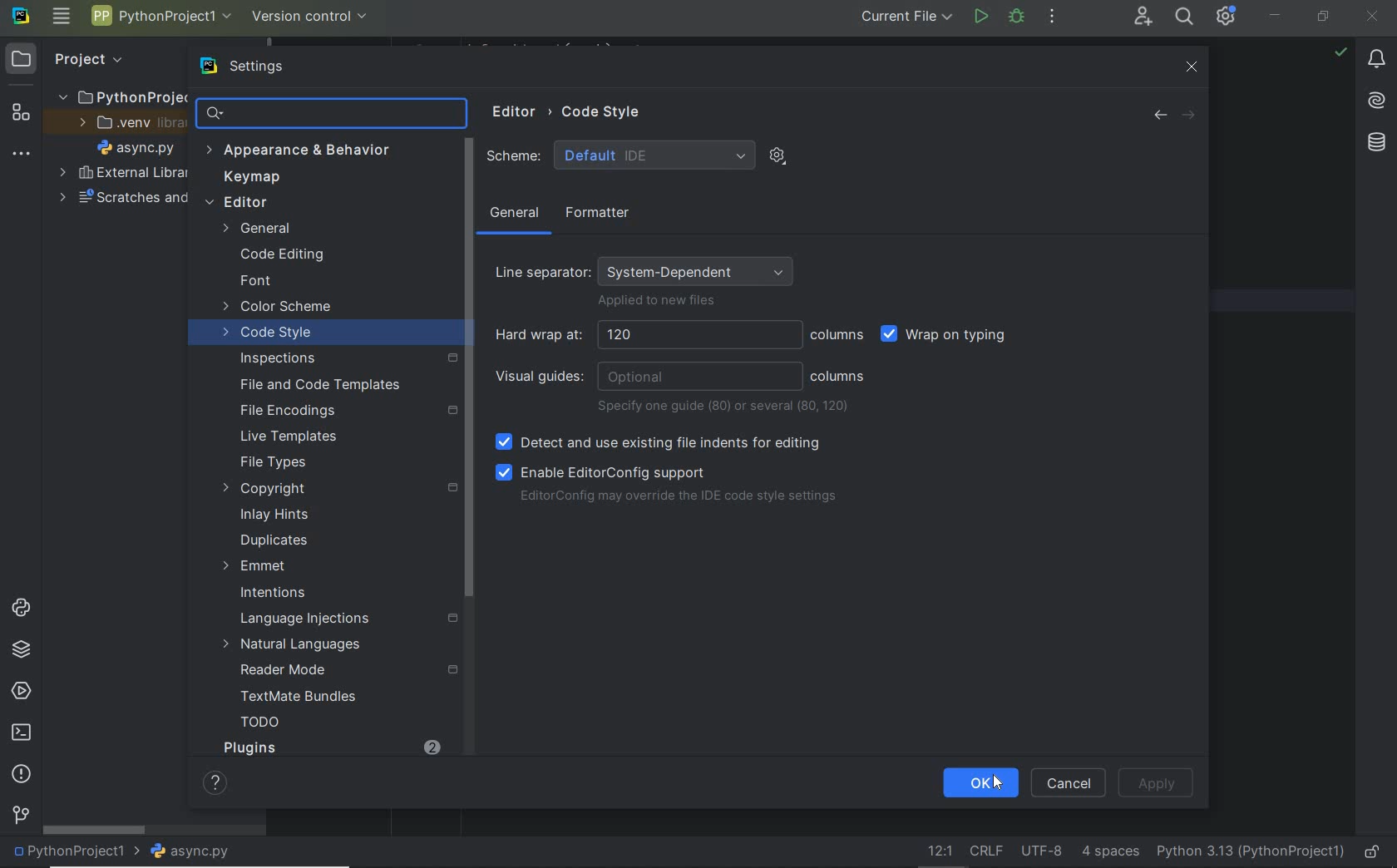  Describe the element at coordinates (294, 646) in the screenshot. I see `Natural Languages` at that location.